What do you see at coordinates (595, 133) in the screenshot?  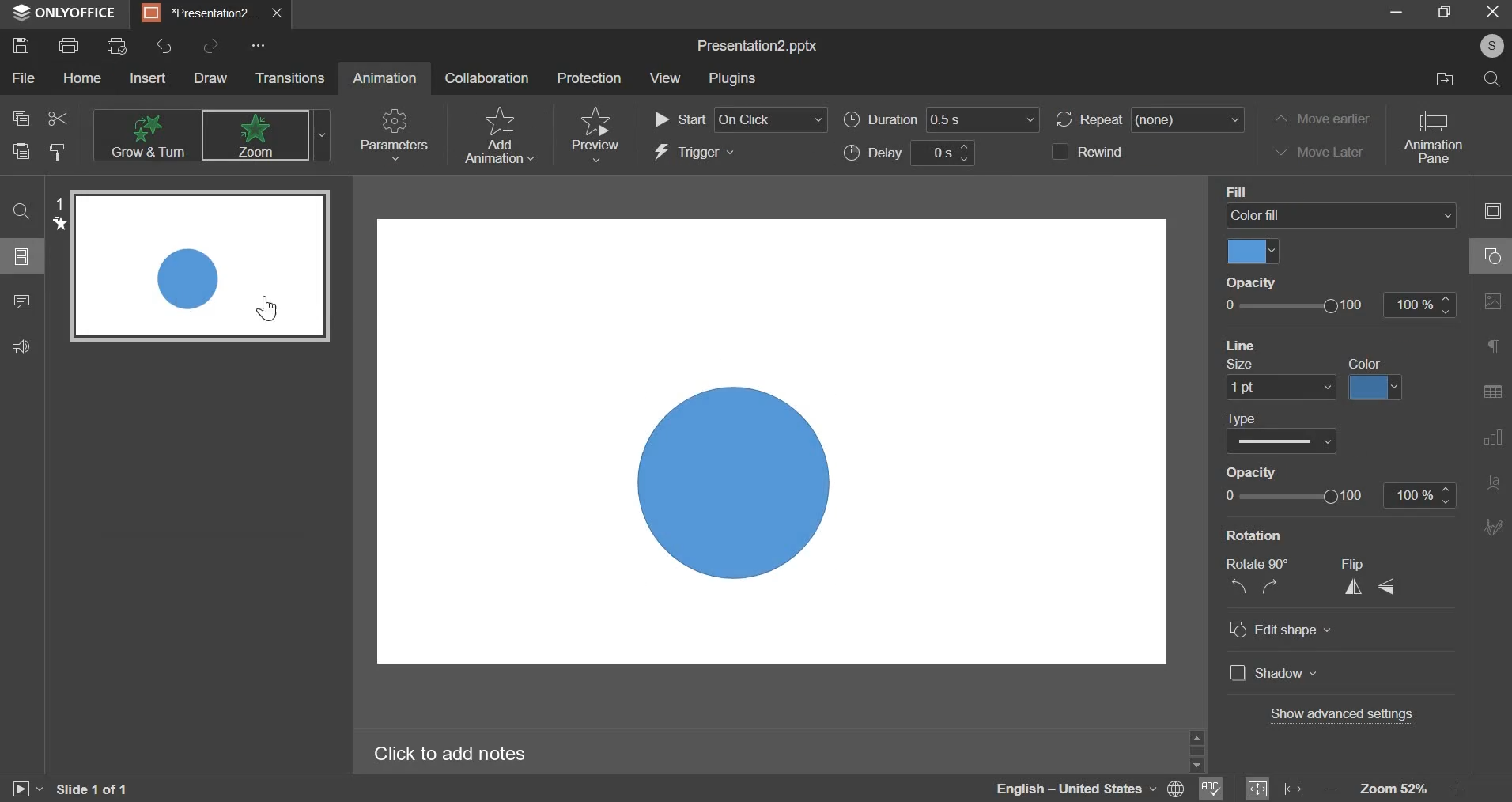 I see `preview` at bounding box center [595, 133].